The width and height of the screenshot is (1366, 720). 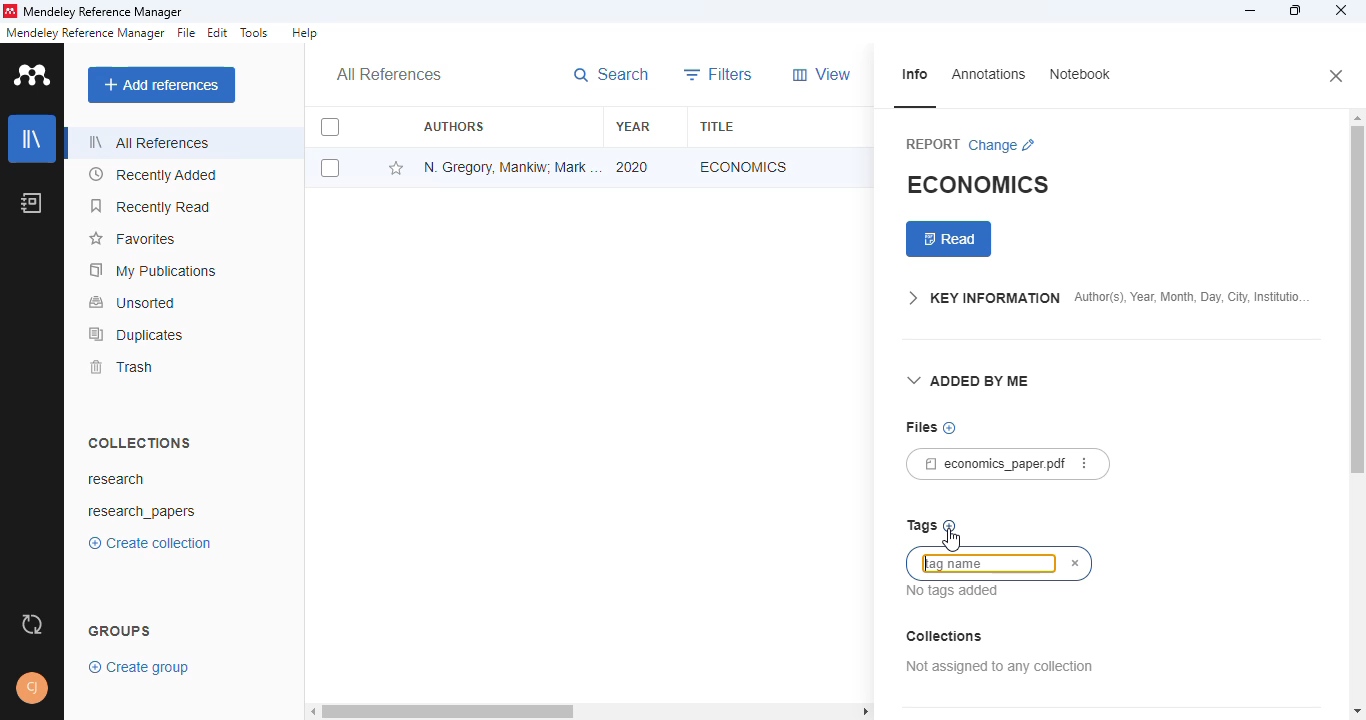 I want to click on logo, so click(x=10, y=11).